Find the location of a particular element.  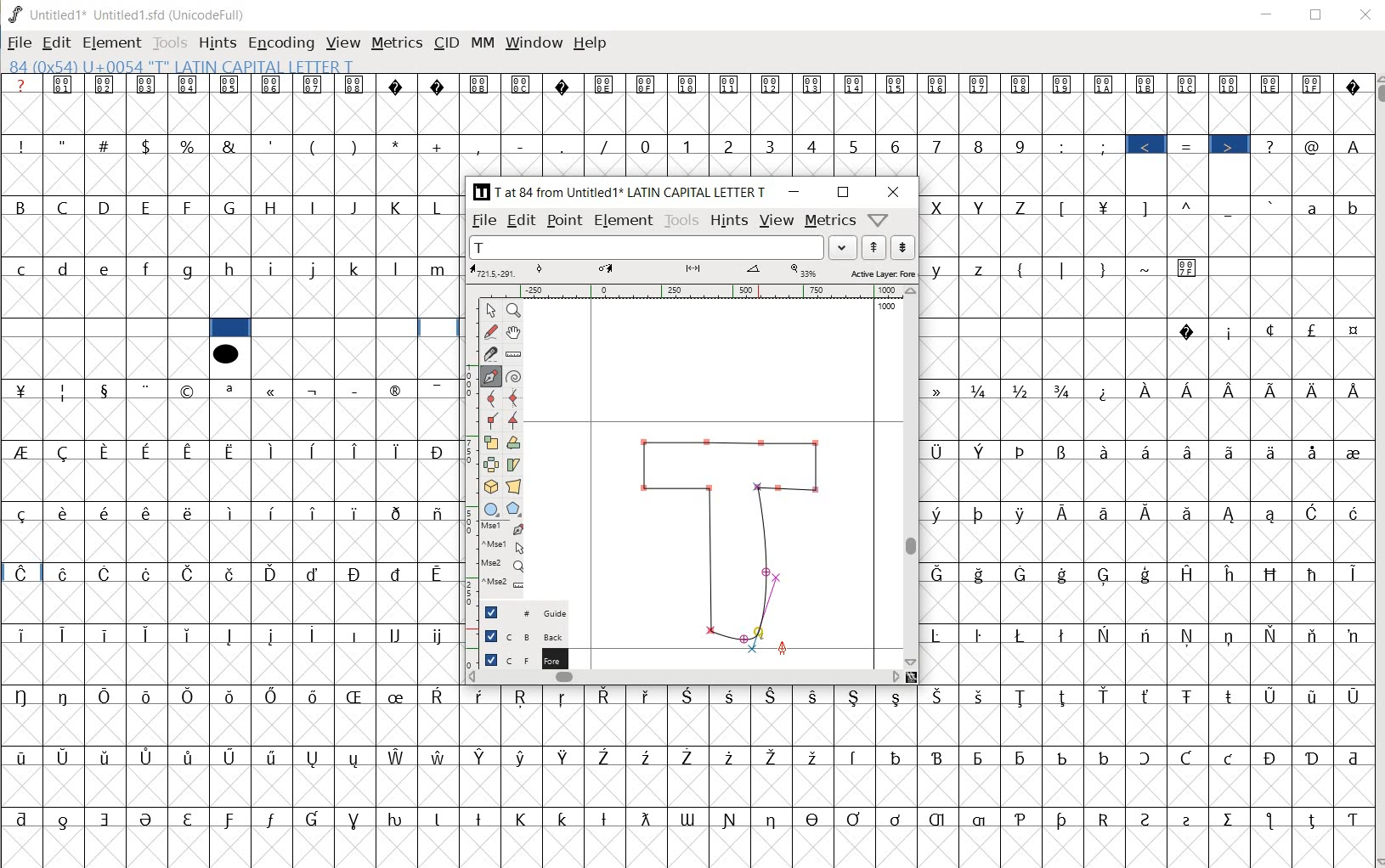

] is located at coordinates (1150, 206).